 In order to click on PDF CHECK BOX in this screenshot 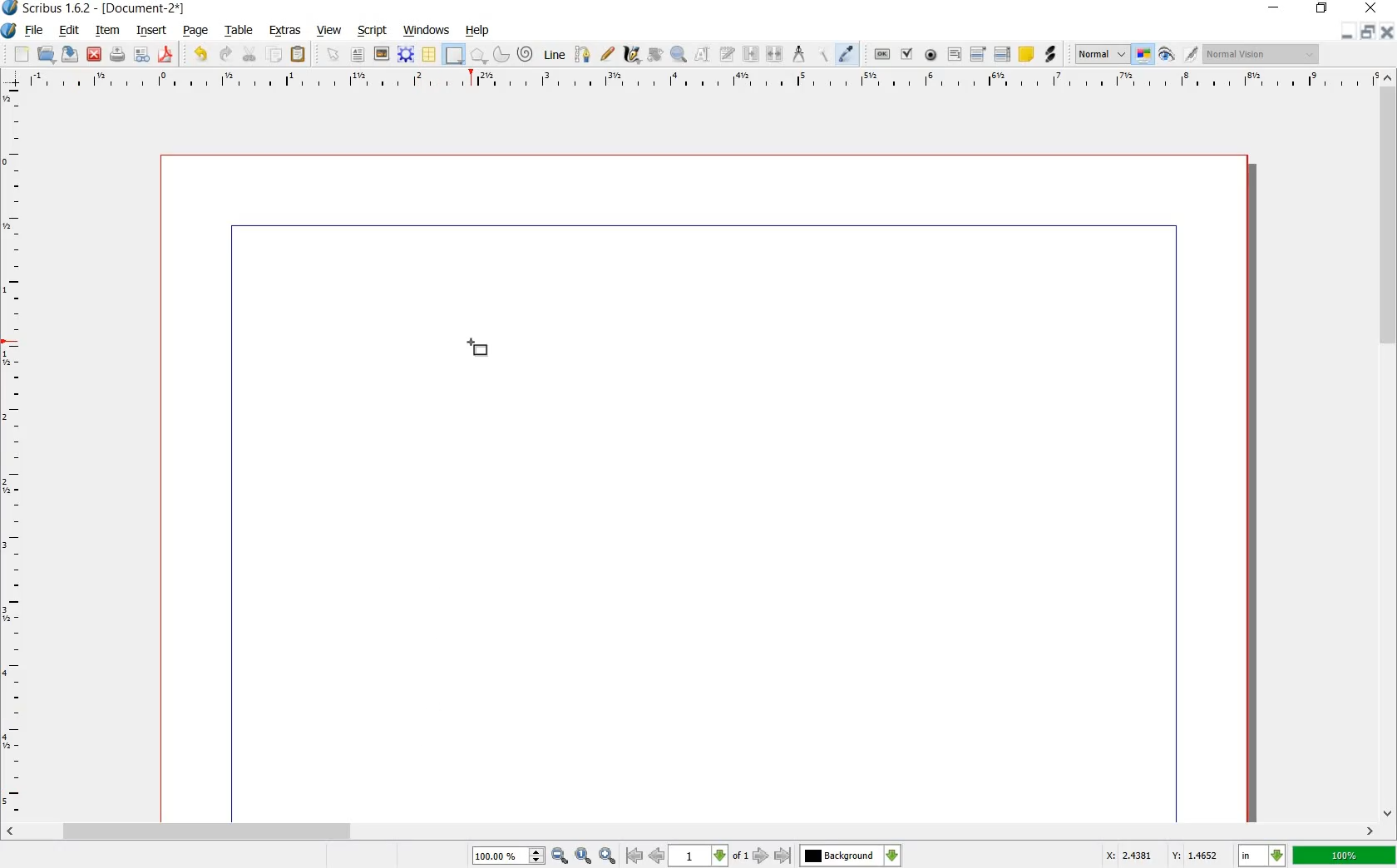, I will do `click(907, 54)`.